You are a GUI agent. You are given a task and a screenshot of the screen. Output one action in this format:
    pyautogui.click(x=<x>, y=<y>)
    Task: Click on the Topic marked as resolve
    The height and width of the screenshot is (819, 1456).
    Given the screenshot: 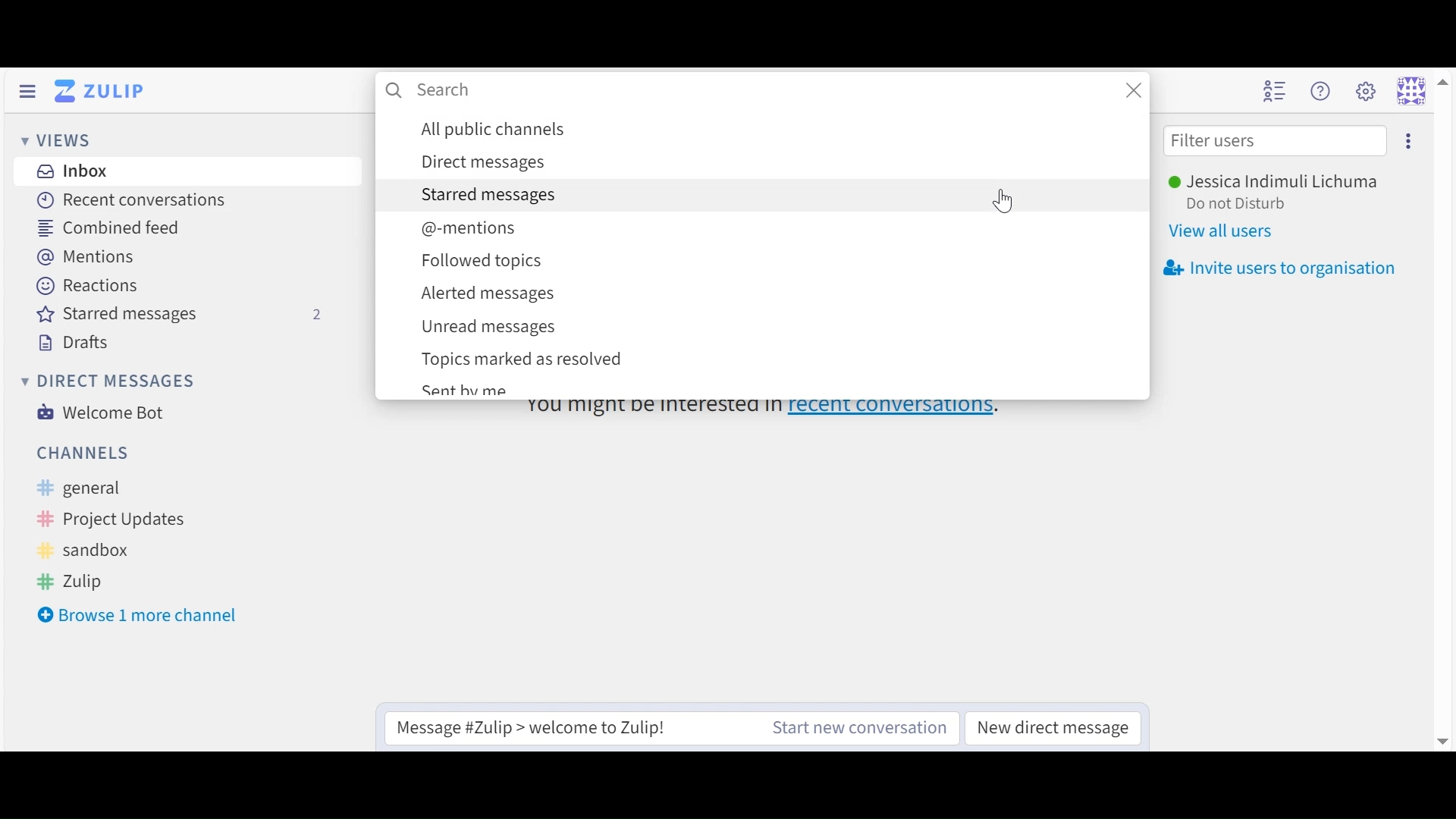 What is the action you would take?
    pyautogui.click(x=771, y=359)
    